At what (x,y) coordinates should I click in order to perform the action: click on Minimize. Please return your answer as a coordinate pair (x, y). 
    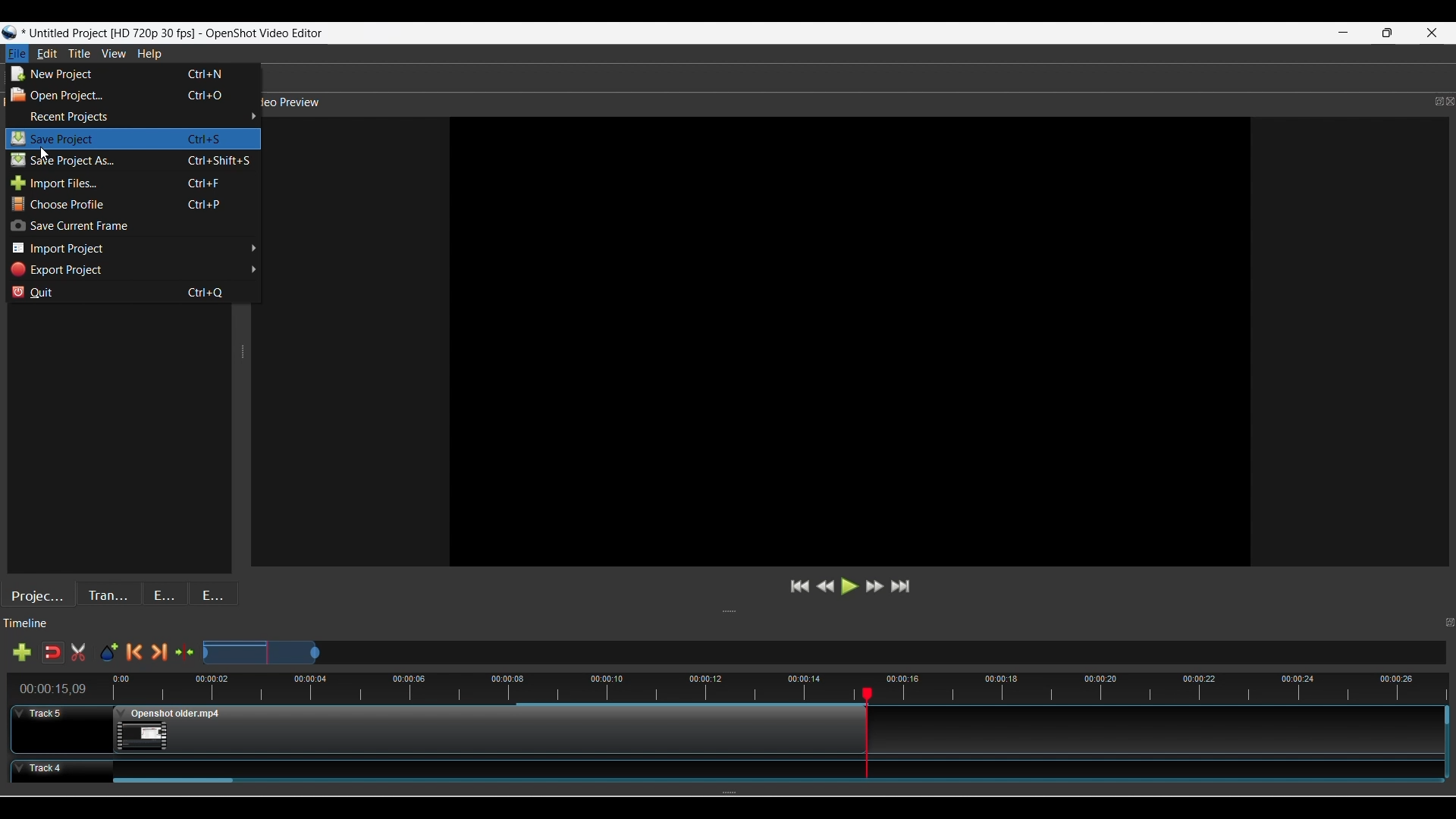
    Looking at the image, I should click on (1341, 33).